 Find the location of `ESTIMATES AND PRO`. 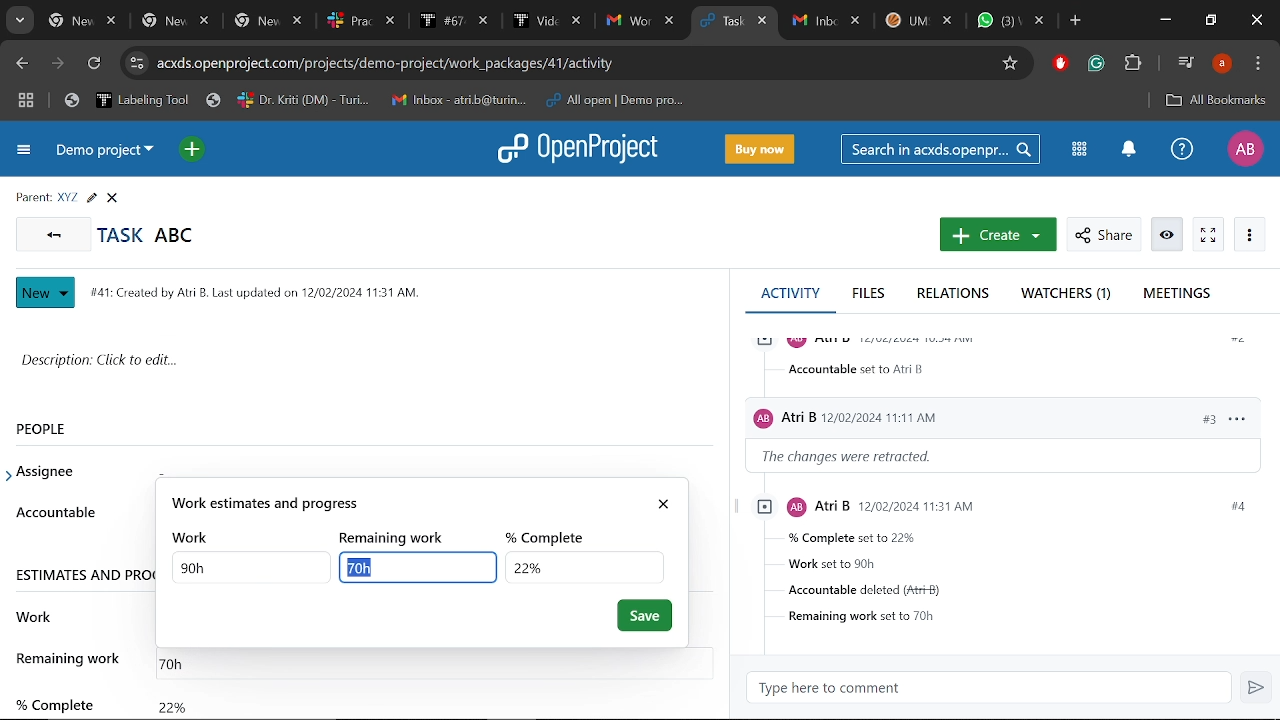

ESTIMATES AND PRO is located at coordinates (85, 574).